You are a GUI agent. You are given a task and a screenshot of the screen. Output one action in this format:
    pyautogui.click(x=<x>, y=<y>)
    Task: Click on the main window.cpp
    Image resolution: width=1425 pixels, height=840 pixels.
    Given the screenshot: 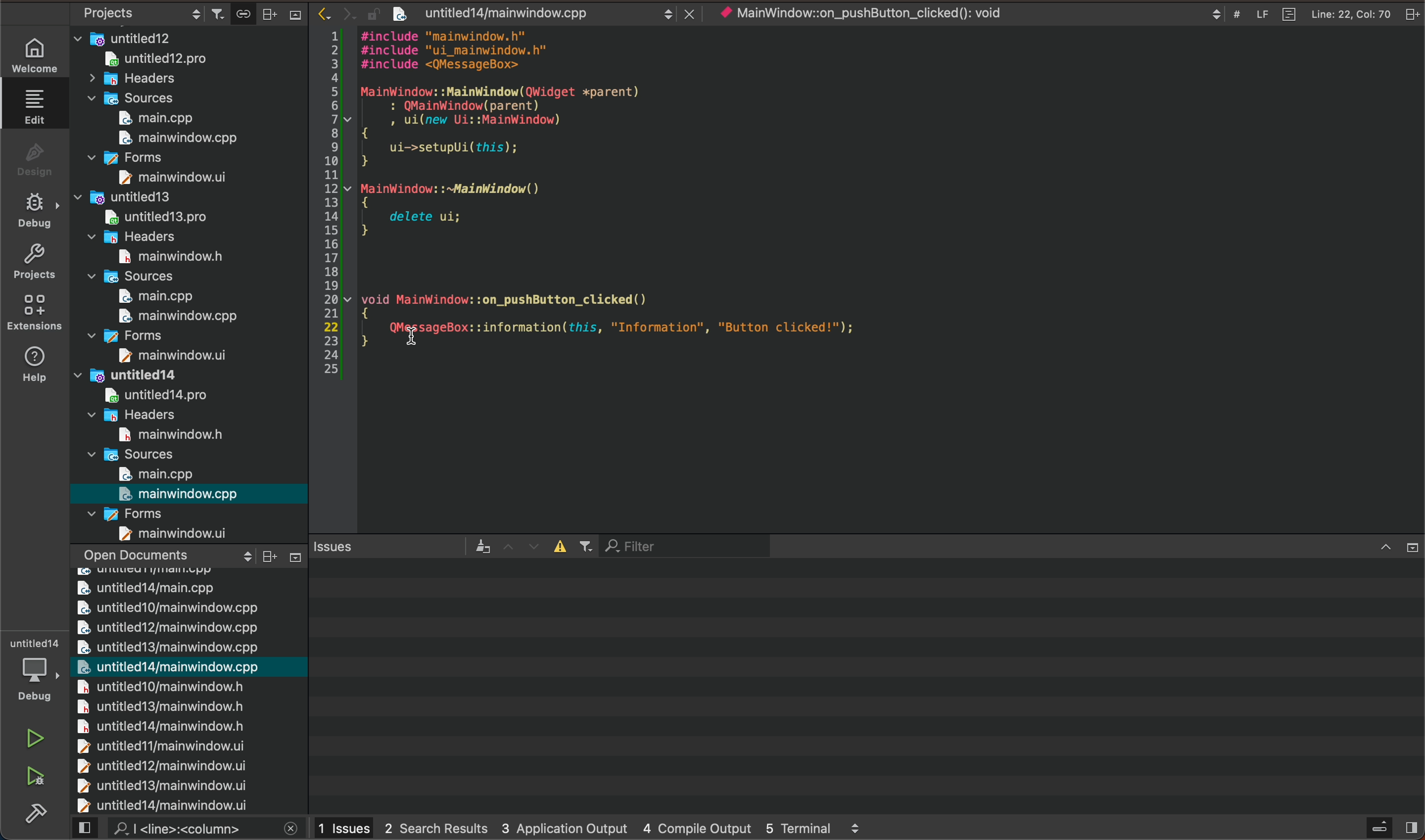 What is the action you would take?
    pyautogui.click(x=180, y=494)
    